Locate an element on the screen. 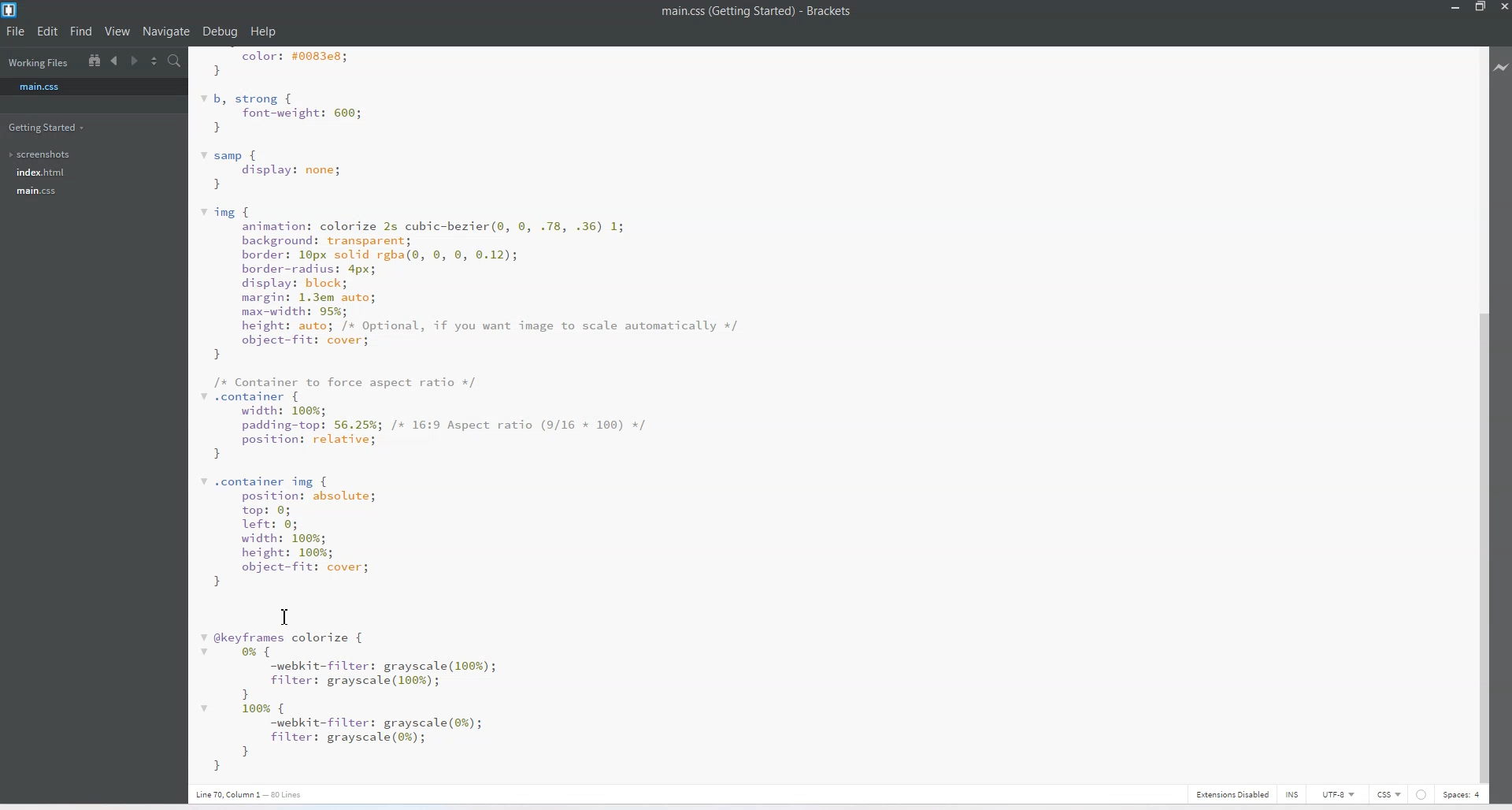 Image resolution: width=1512 pixels, height=810 pixels. Working Files is located at coordinates (38, 64).